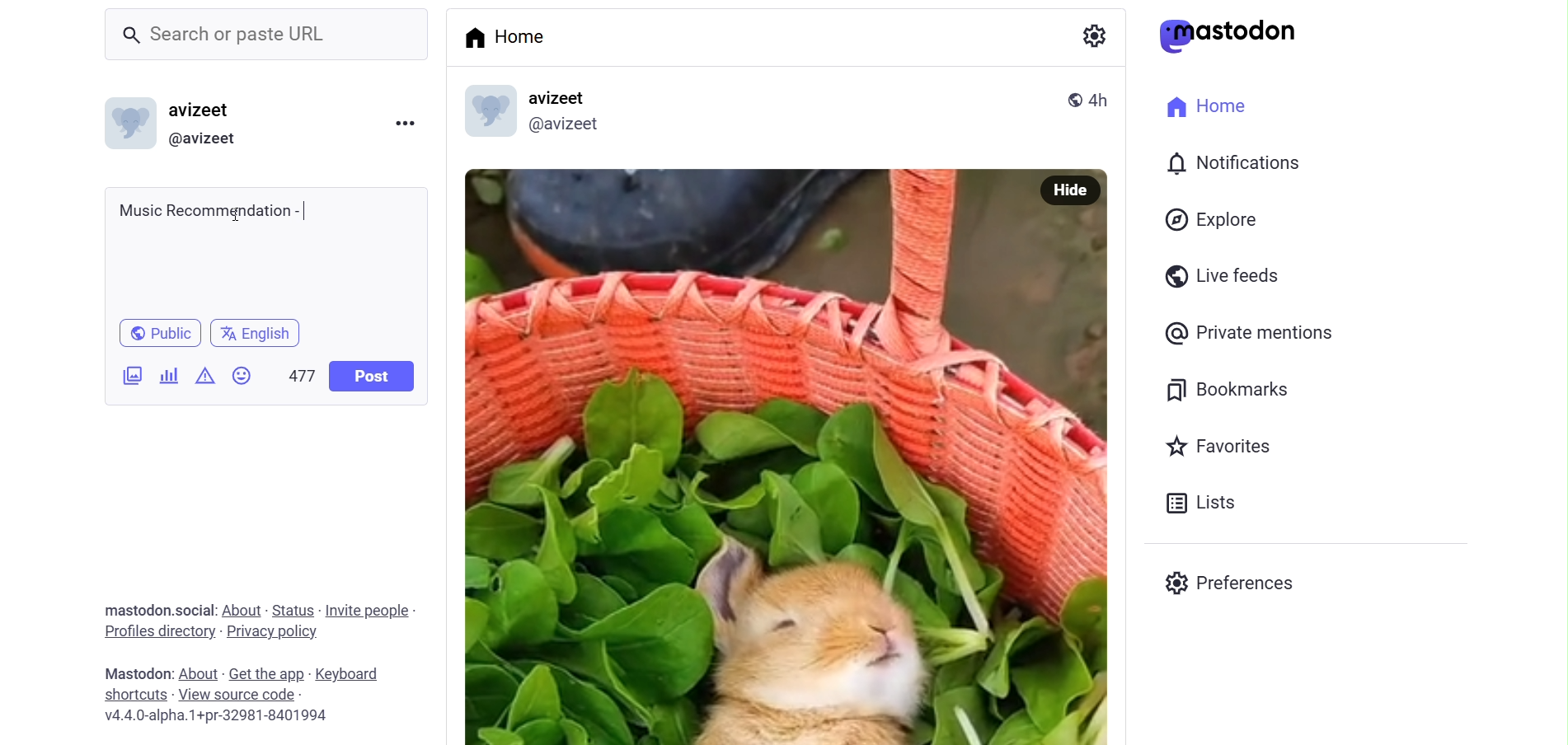 The image size is (1568, 745). What do you see at coordinates (1235, 160) in the screenshot?
I see `Notification` at bounding box center [1235, 160].